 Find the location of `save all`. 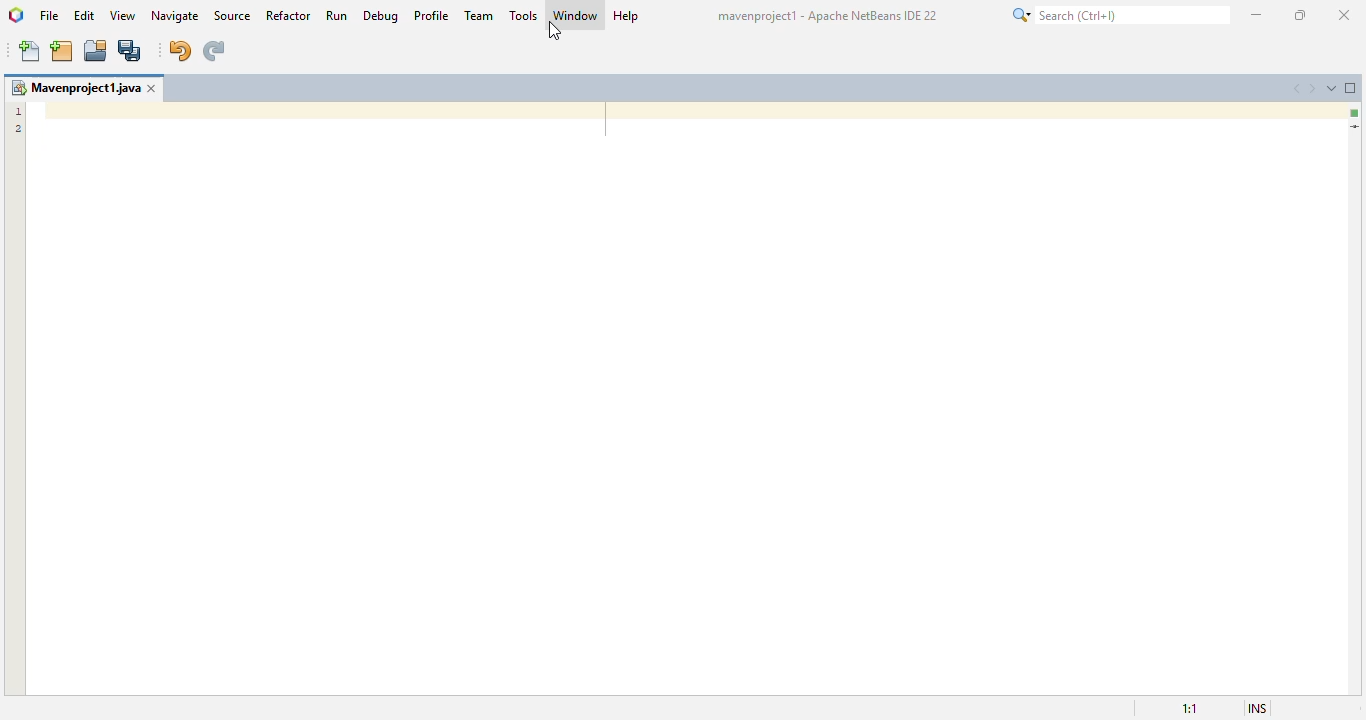

save all is located at coordinates (130, 52).